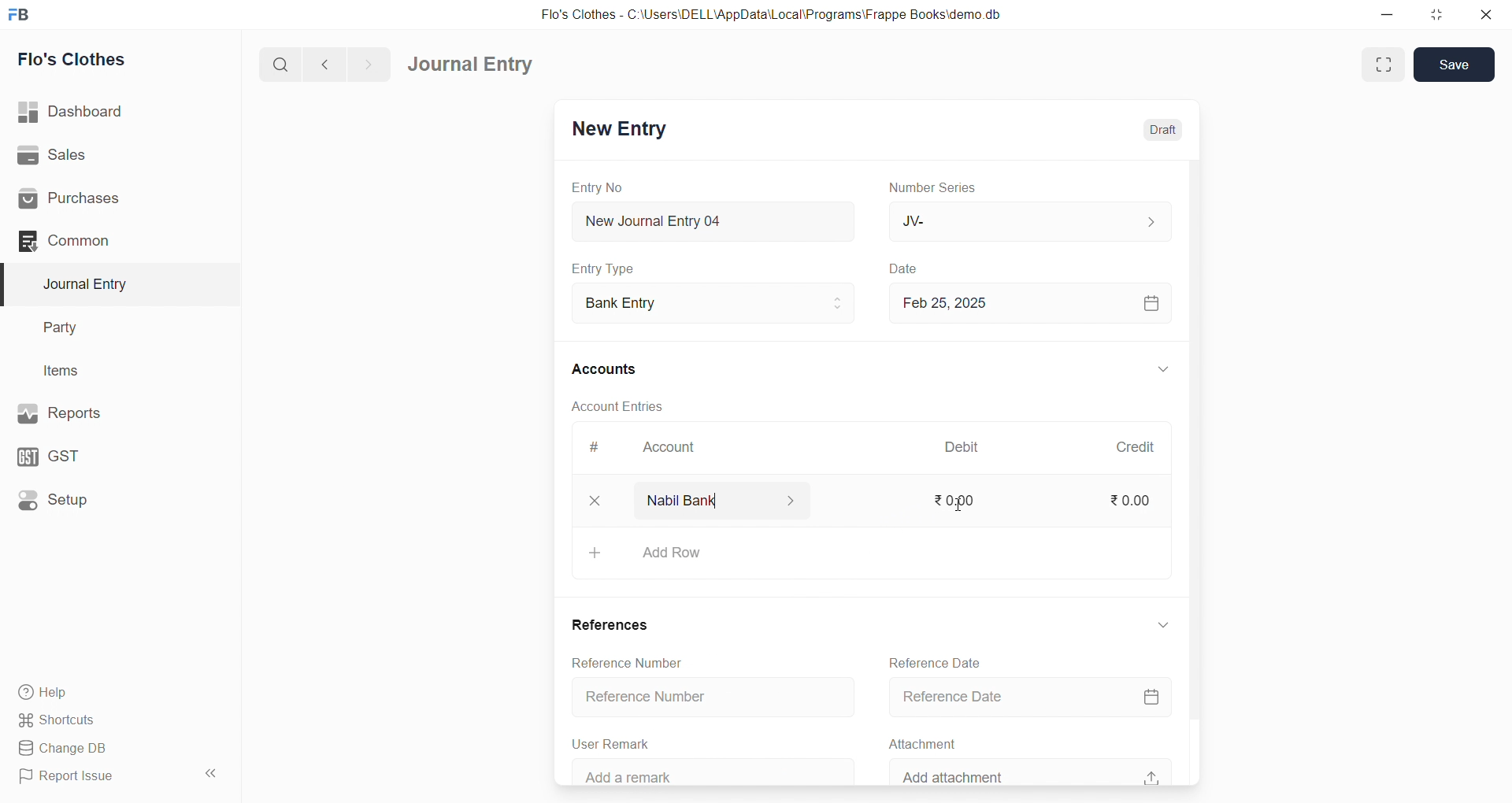 The image size is (1512, 803). I want to click on New Entry, so click(617, 131).